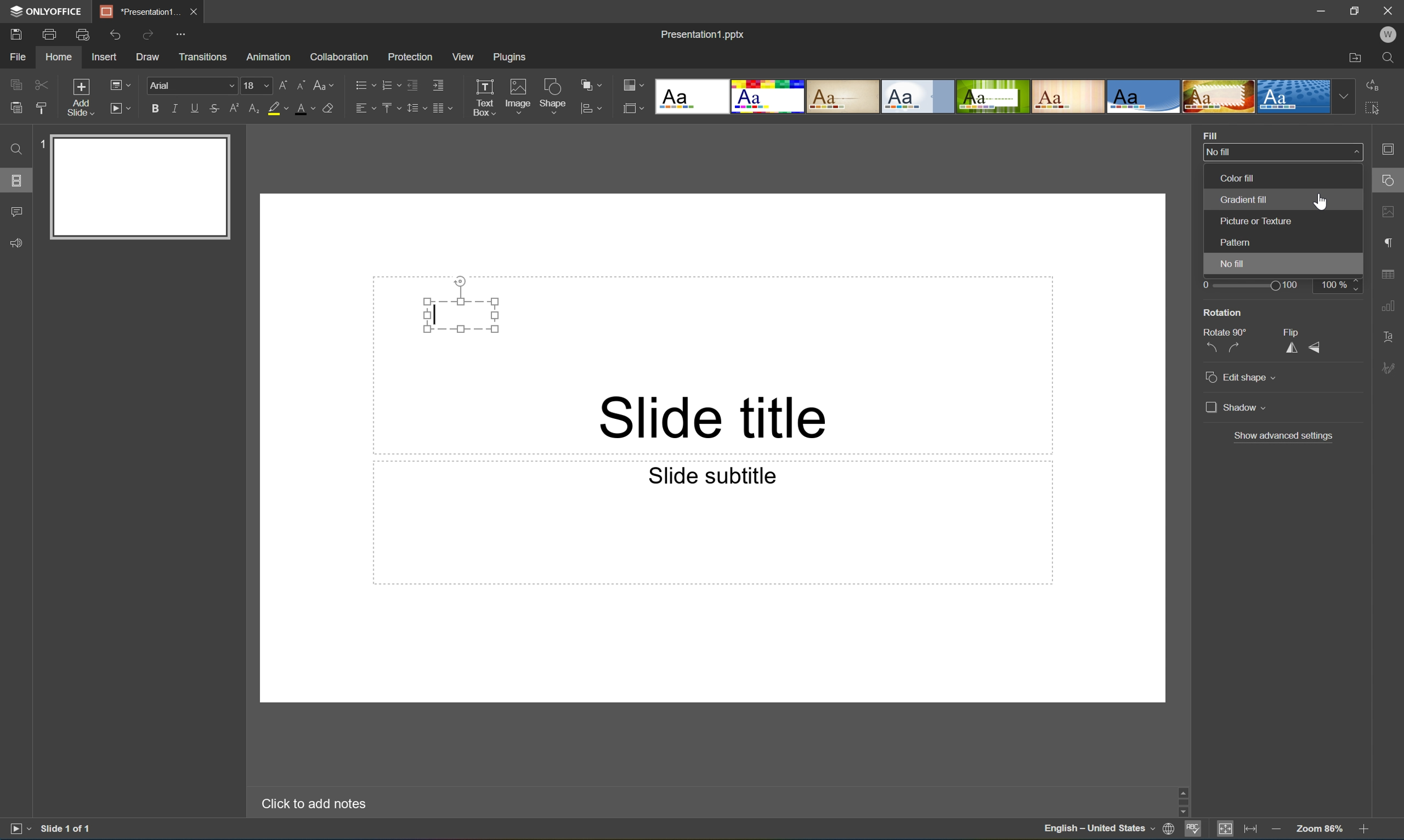 This screenshot has width=1404, height=840. I want to click on Transitions, so click(202, 56).